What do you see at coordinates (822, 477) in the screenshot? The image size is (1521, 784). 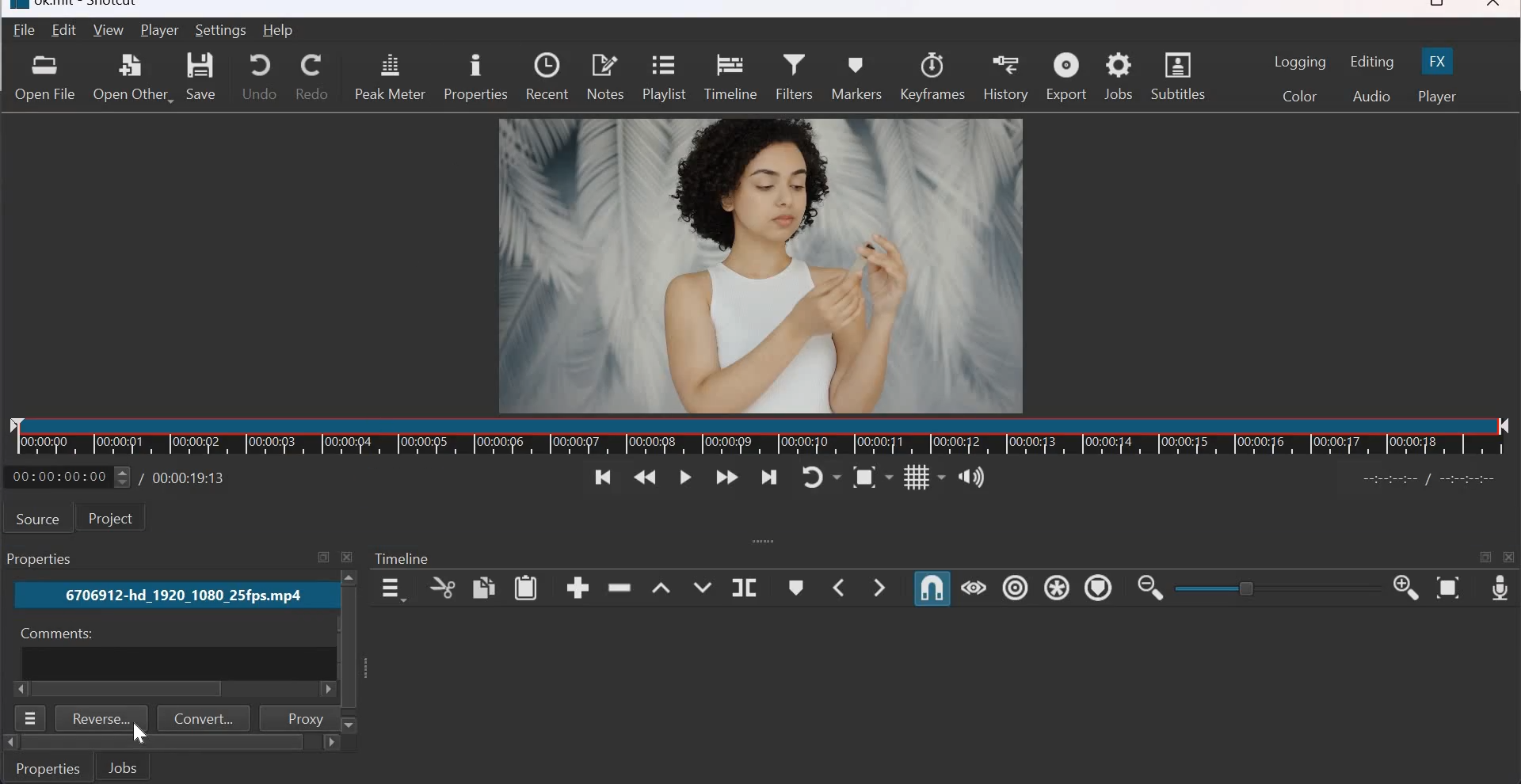 I see `Toggle player looping` at bounding box center [822, 477].